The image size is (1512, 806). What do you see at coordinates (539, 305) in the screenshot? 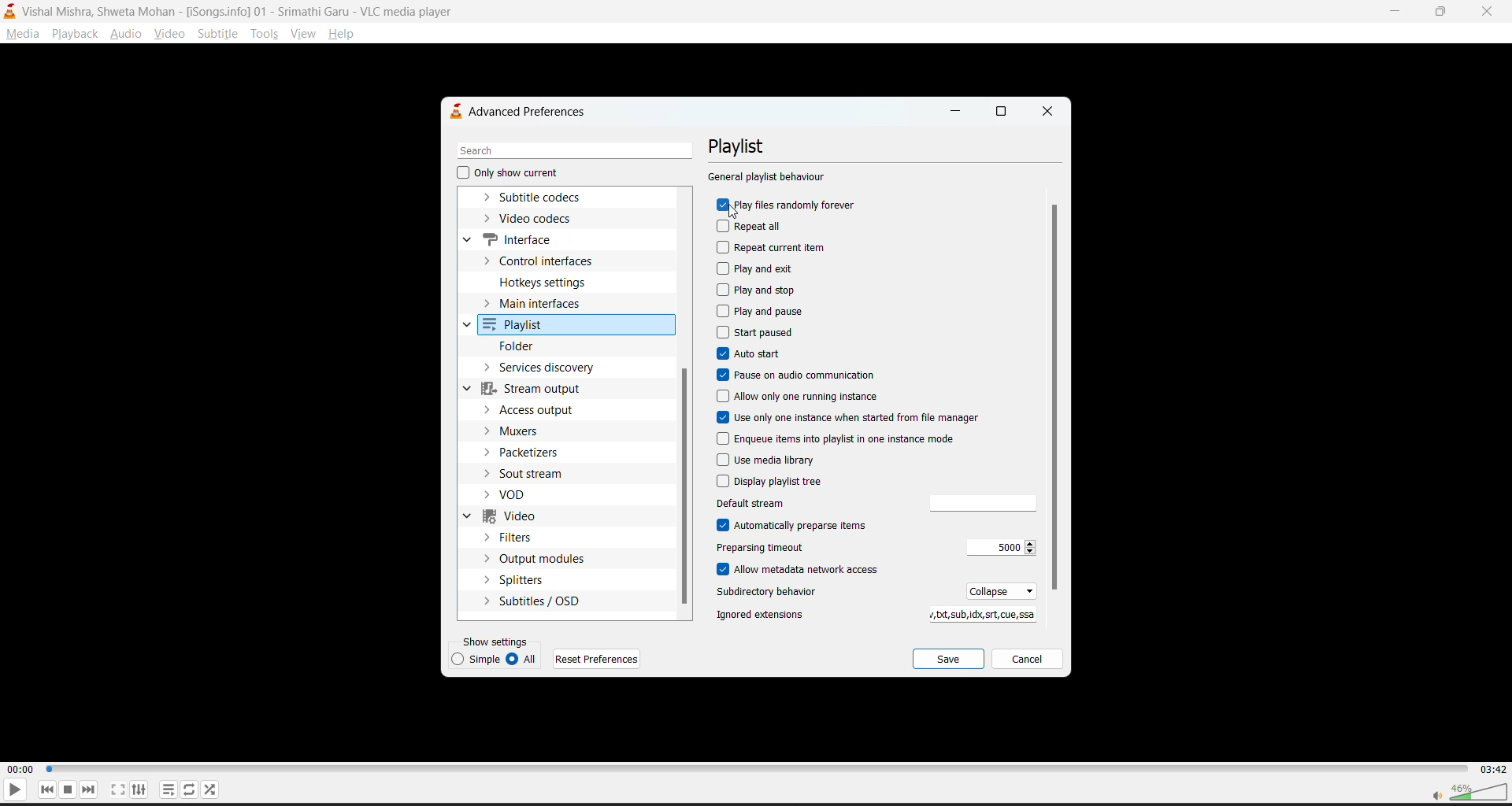
I see `main interfaces` at bounding box center [539, 305].